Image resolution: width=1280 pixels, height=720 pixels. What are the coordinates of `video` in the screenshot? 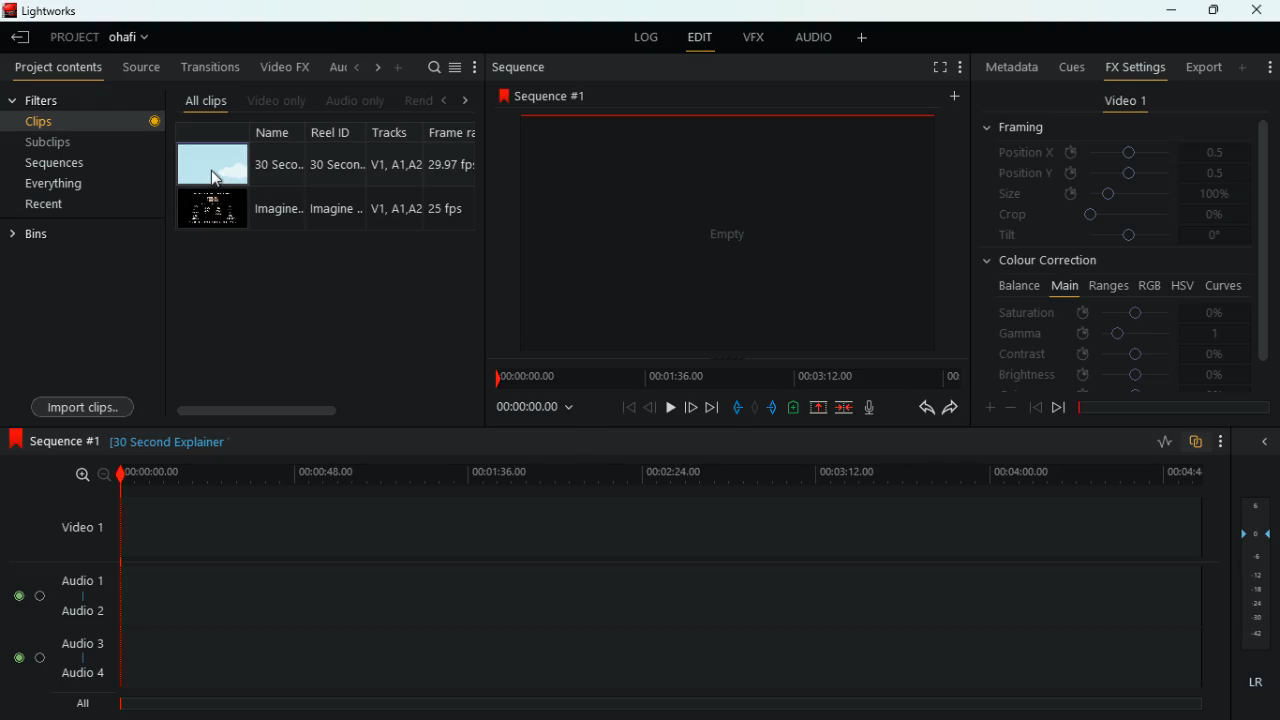 It's located at (214, 164).